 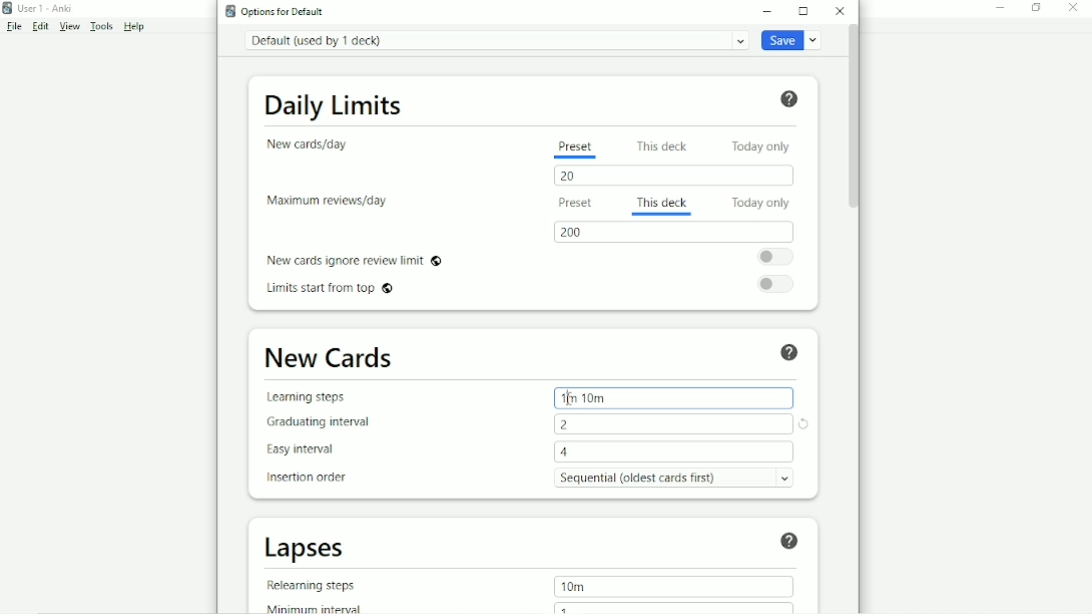 I want to click on Toggle on/off, so click(x=775, y=256).